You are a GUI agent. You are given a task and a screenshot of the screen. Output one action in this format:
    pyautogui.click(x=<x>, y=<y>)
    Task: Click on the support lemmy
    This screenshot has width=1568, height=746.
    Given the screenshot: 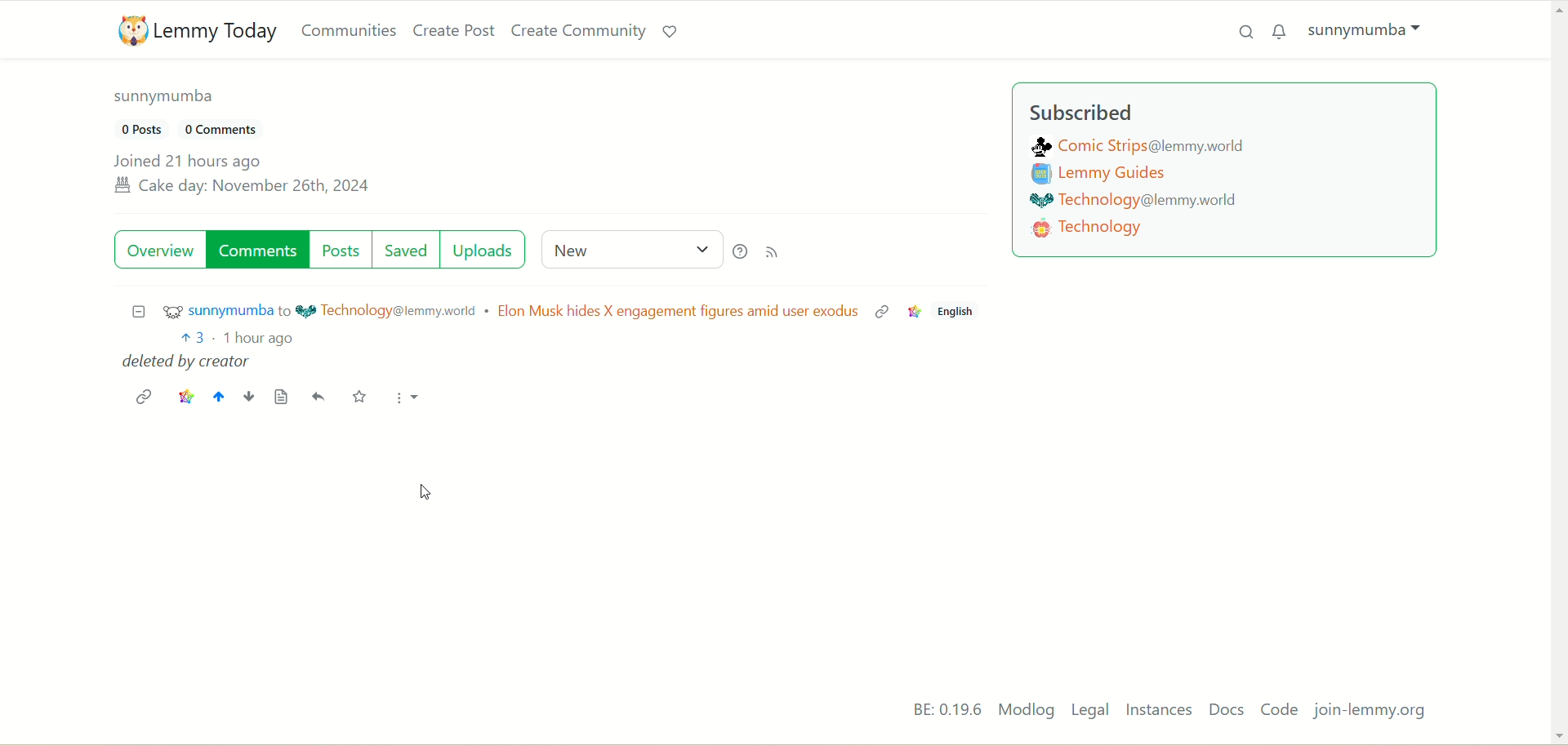 What is the action you would take?
    pyautogui.click(x=670, y=29)
    